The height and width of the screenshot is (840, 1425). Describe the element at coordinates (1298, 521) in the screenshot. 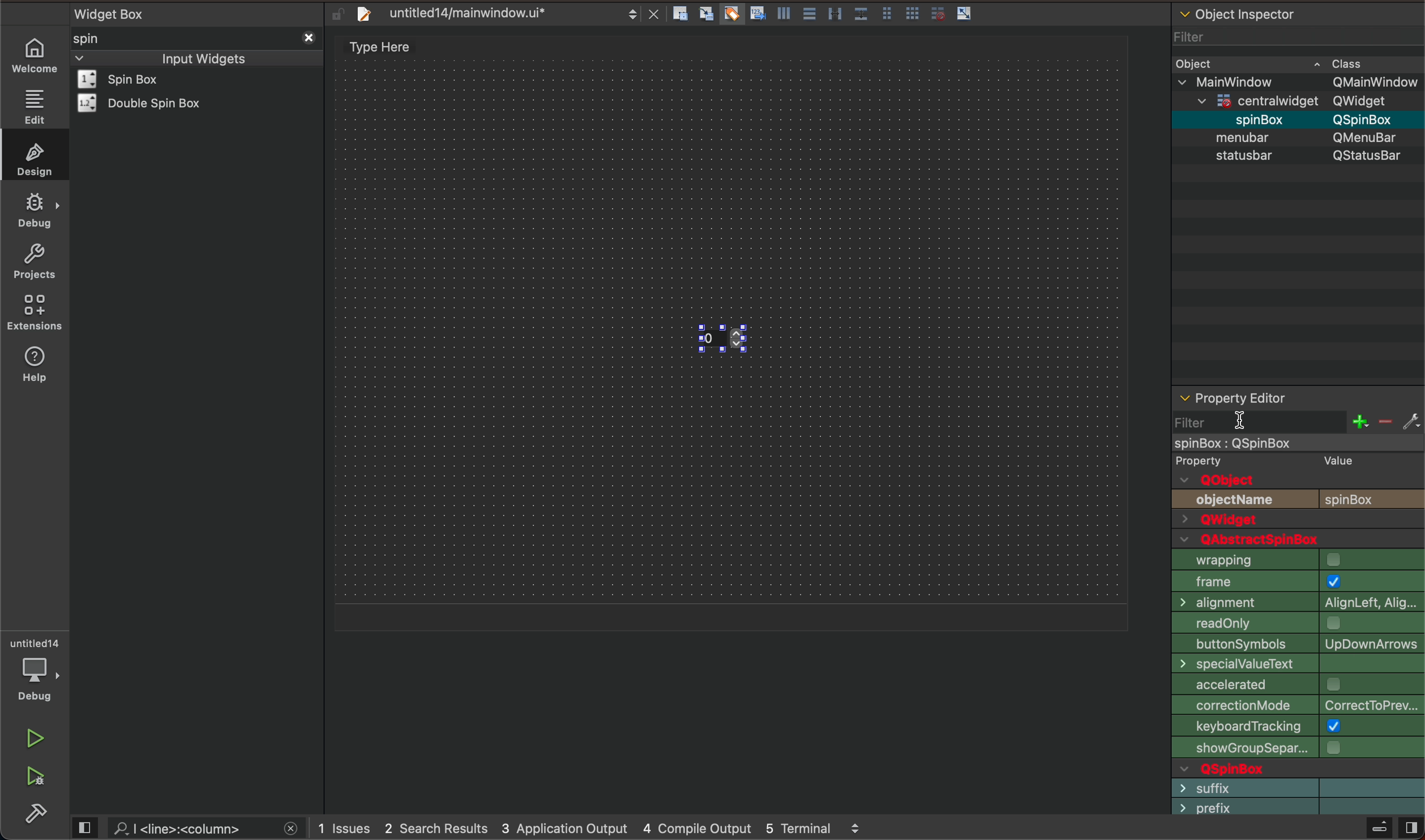

I see `qwidget` at that location.